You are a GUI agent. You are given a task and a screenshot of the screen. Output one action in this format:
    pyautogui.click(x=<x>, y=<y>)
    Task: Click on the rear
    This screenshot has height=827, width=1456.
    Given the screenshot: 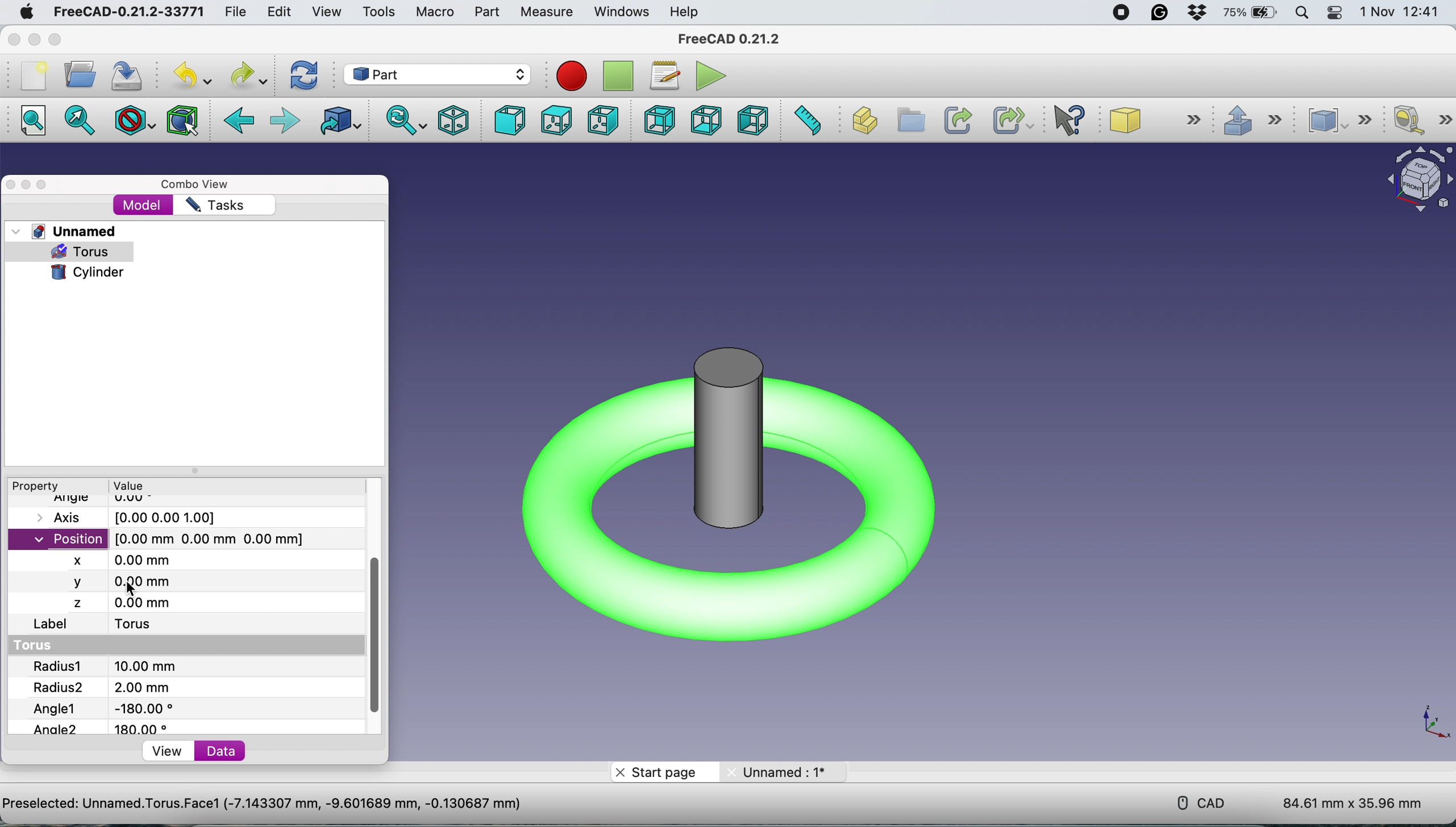 What is the action you would take?
    pyautogui.click(x=660, y=120)
    